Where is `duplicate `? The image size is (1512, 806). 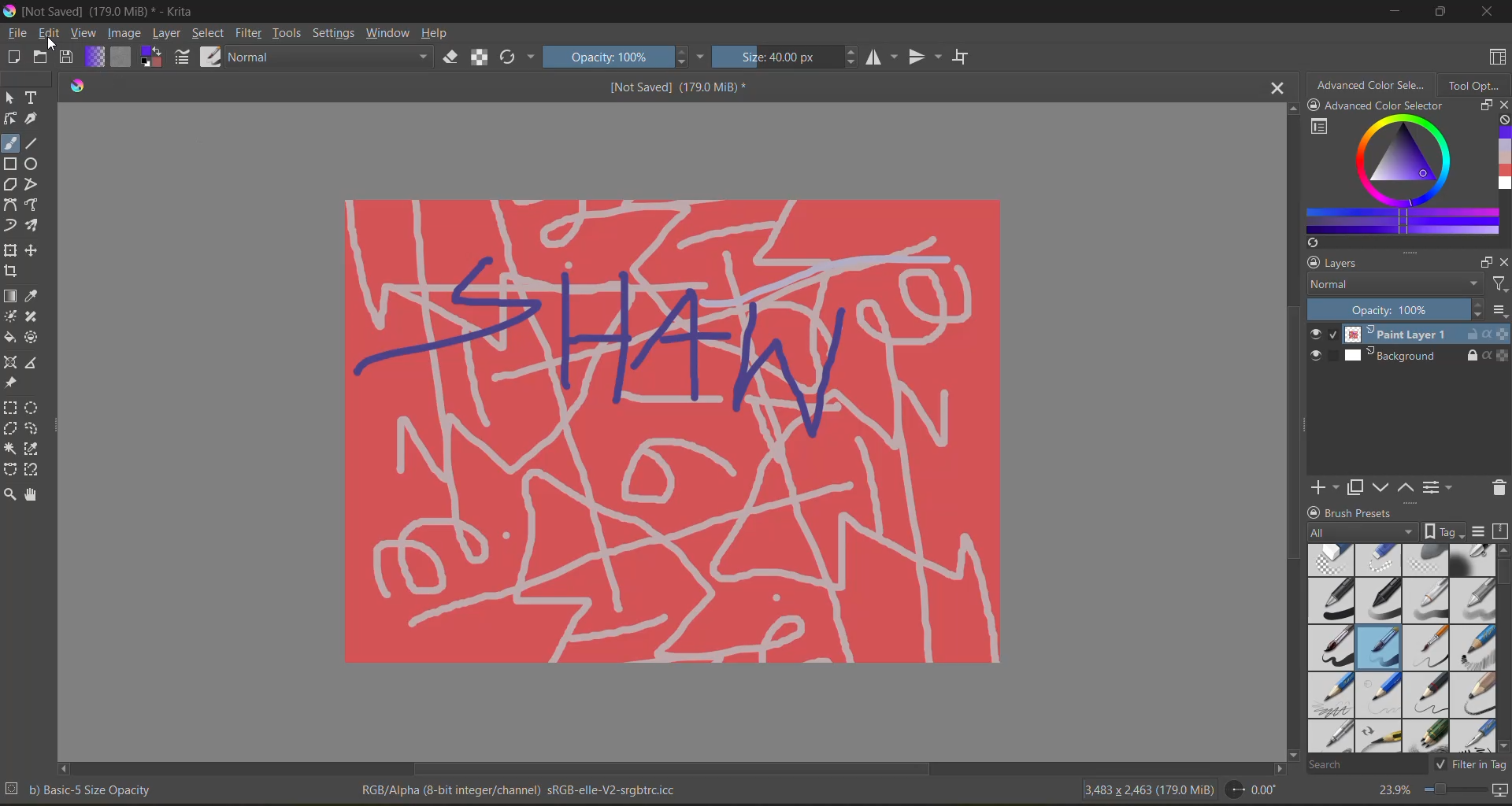
duplicate  is located at coordinates (1355, 487).